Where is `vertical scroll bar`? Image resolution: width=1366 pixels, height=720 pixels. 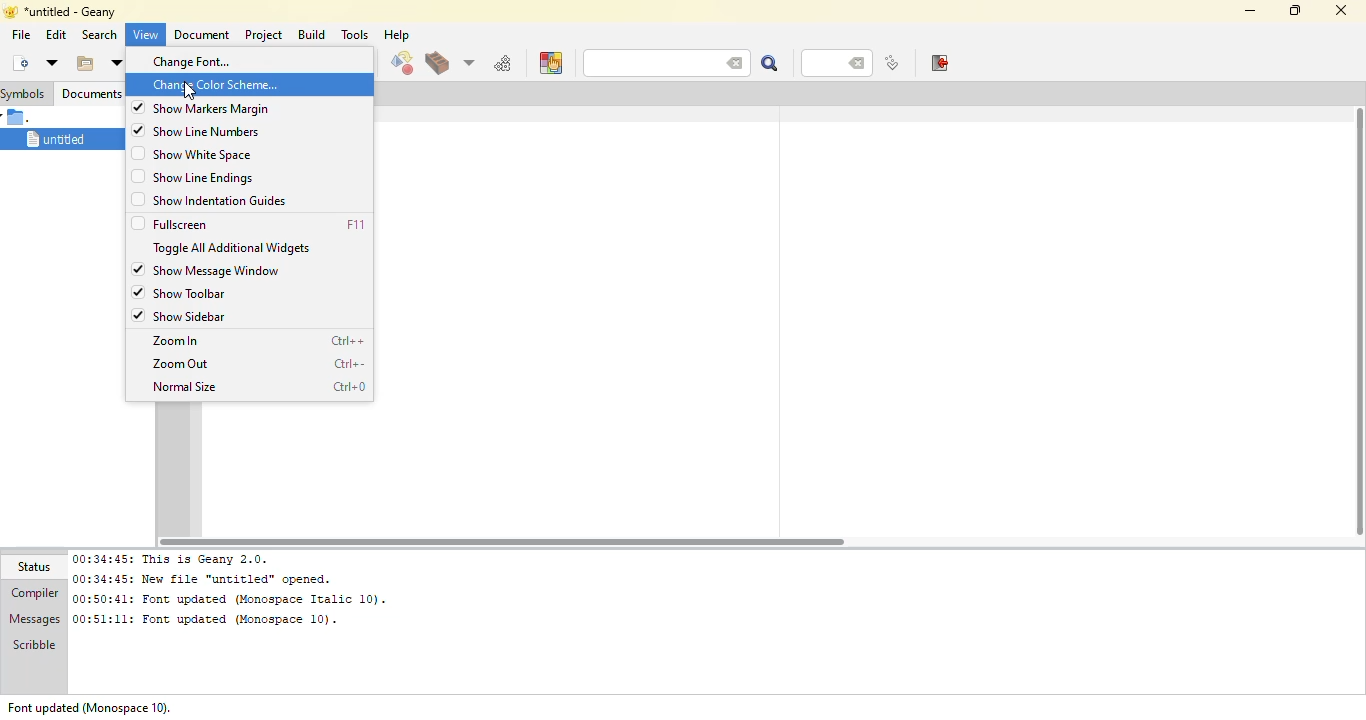
vertical scroll bar is located at coordinates (1355, 321).